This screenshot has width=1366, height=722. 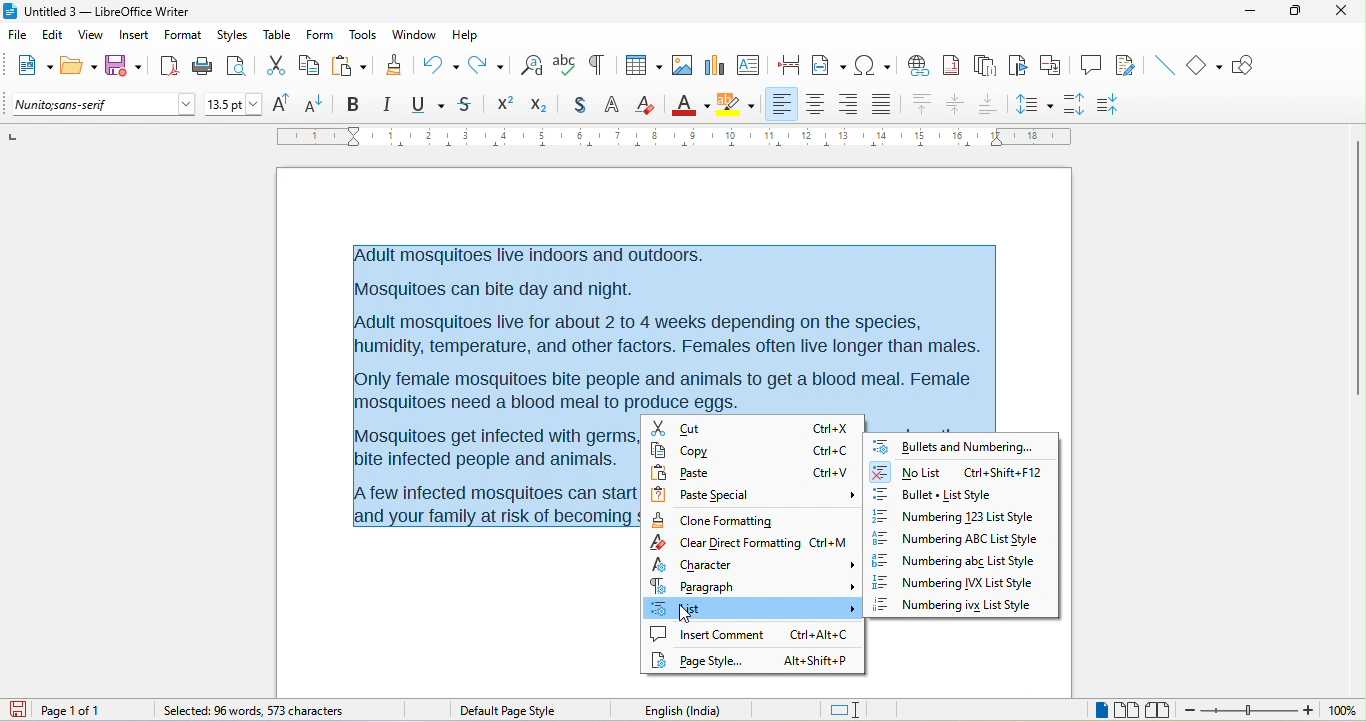 I want to click on outline font effect, so click(x=612, y=107).